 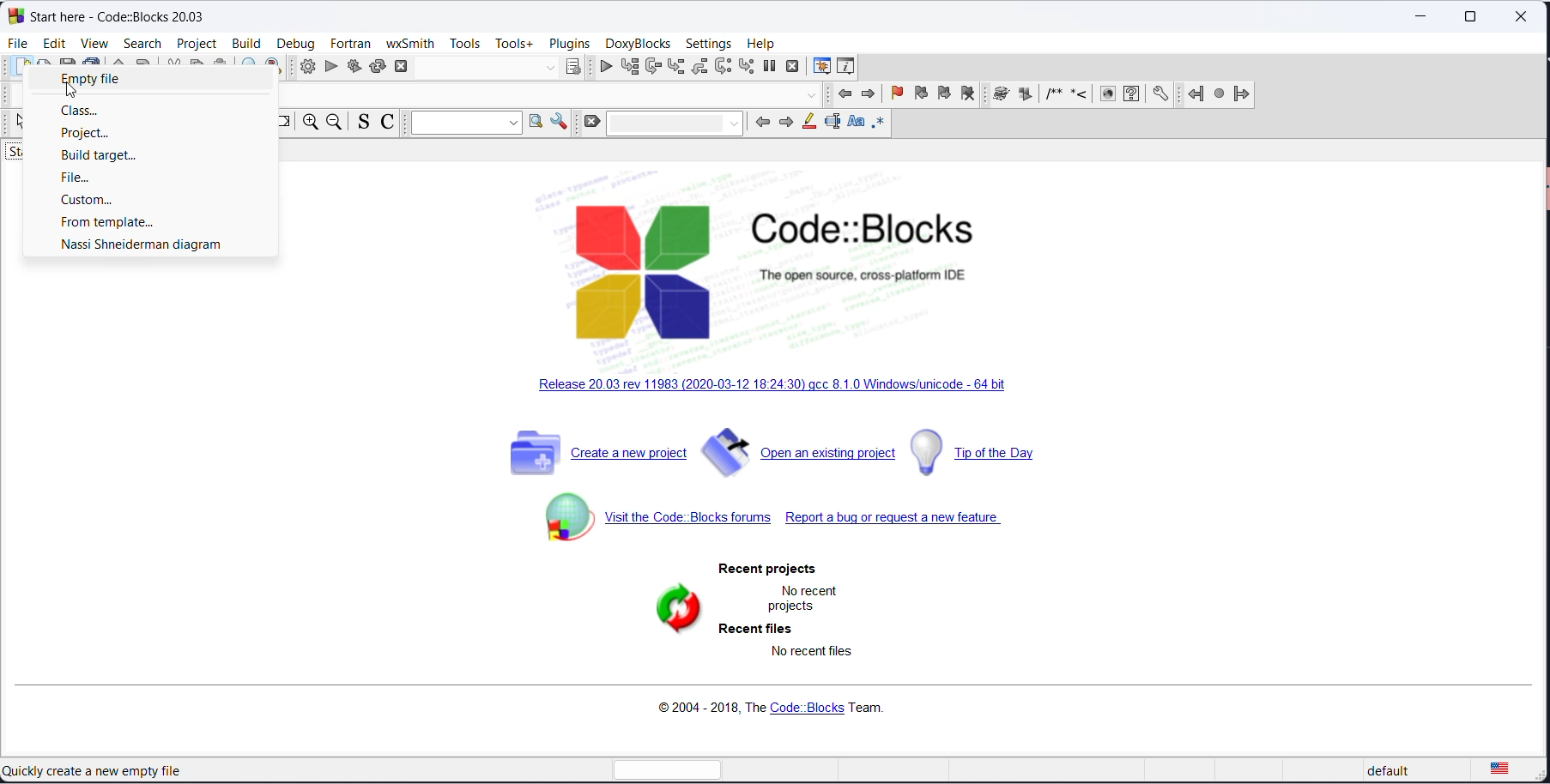 I want to click on step into, so click(x=675, y=67).